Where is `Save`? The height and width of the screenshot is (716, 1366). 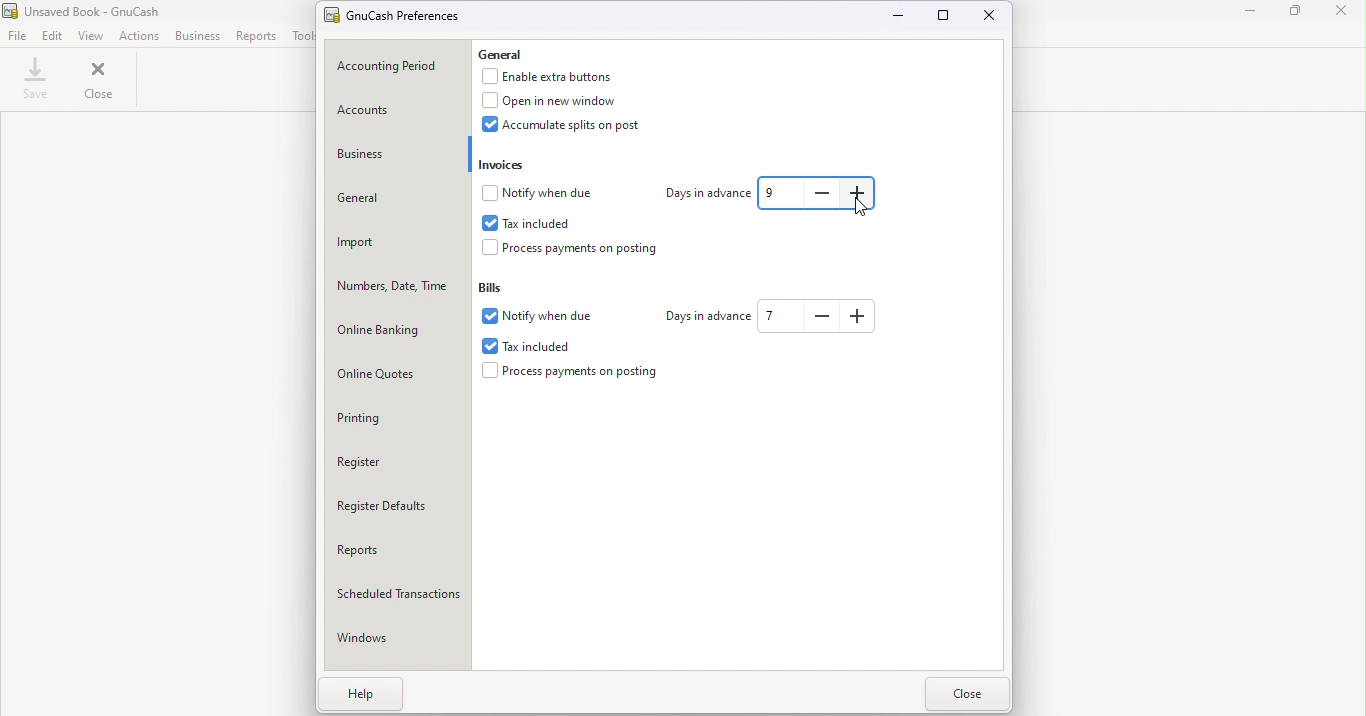 Save is located at coordinates (33, 82).